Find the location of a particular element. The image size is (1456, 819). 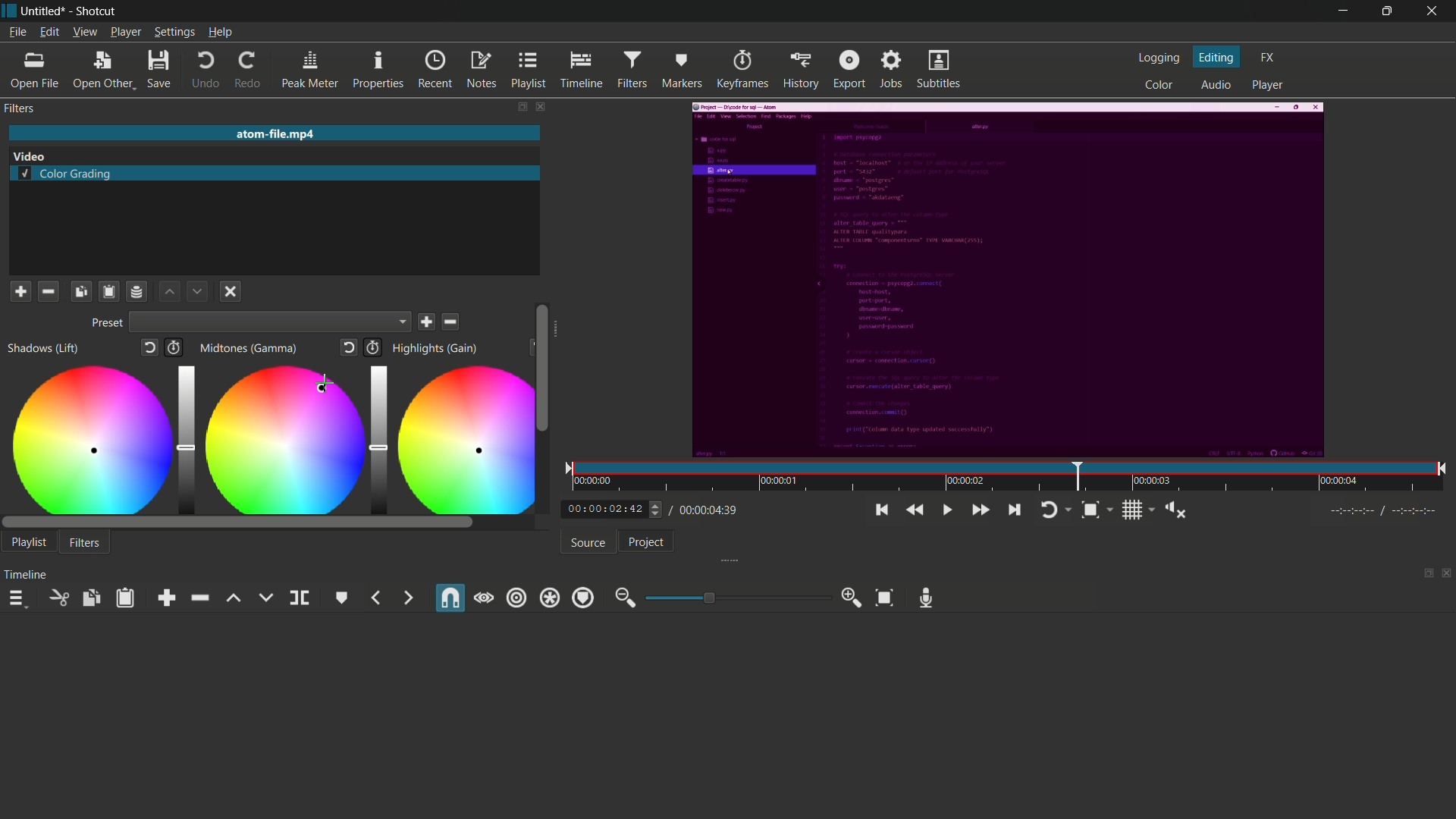

adjustment circle is located at coordinates (281, 440).